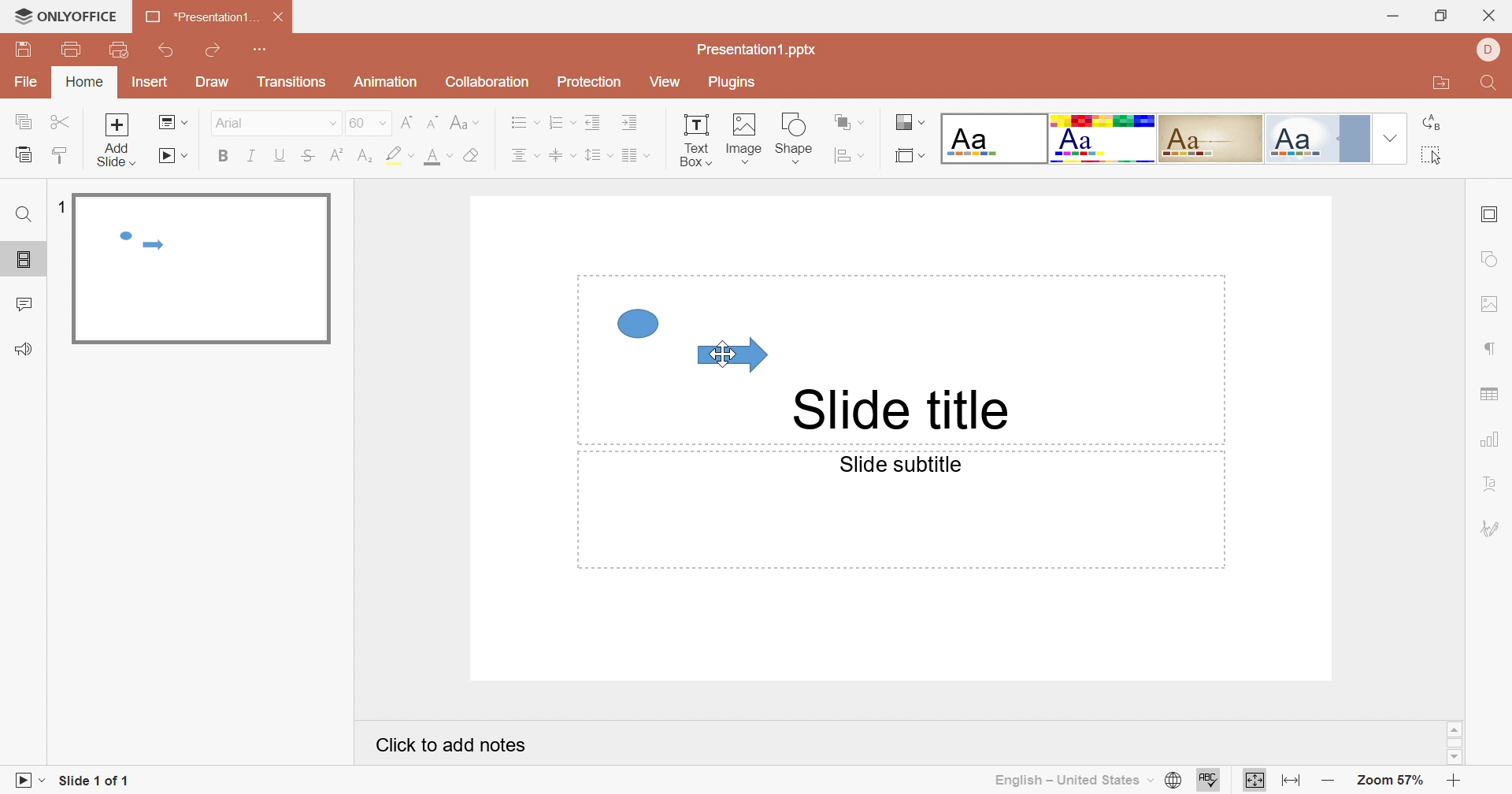 This screenshot has height=794, width=1512. Describe the element at coordinates (402, 156) in the screenshot. I see `Highlight color` at that location.